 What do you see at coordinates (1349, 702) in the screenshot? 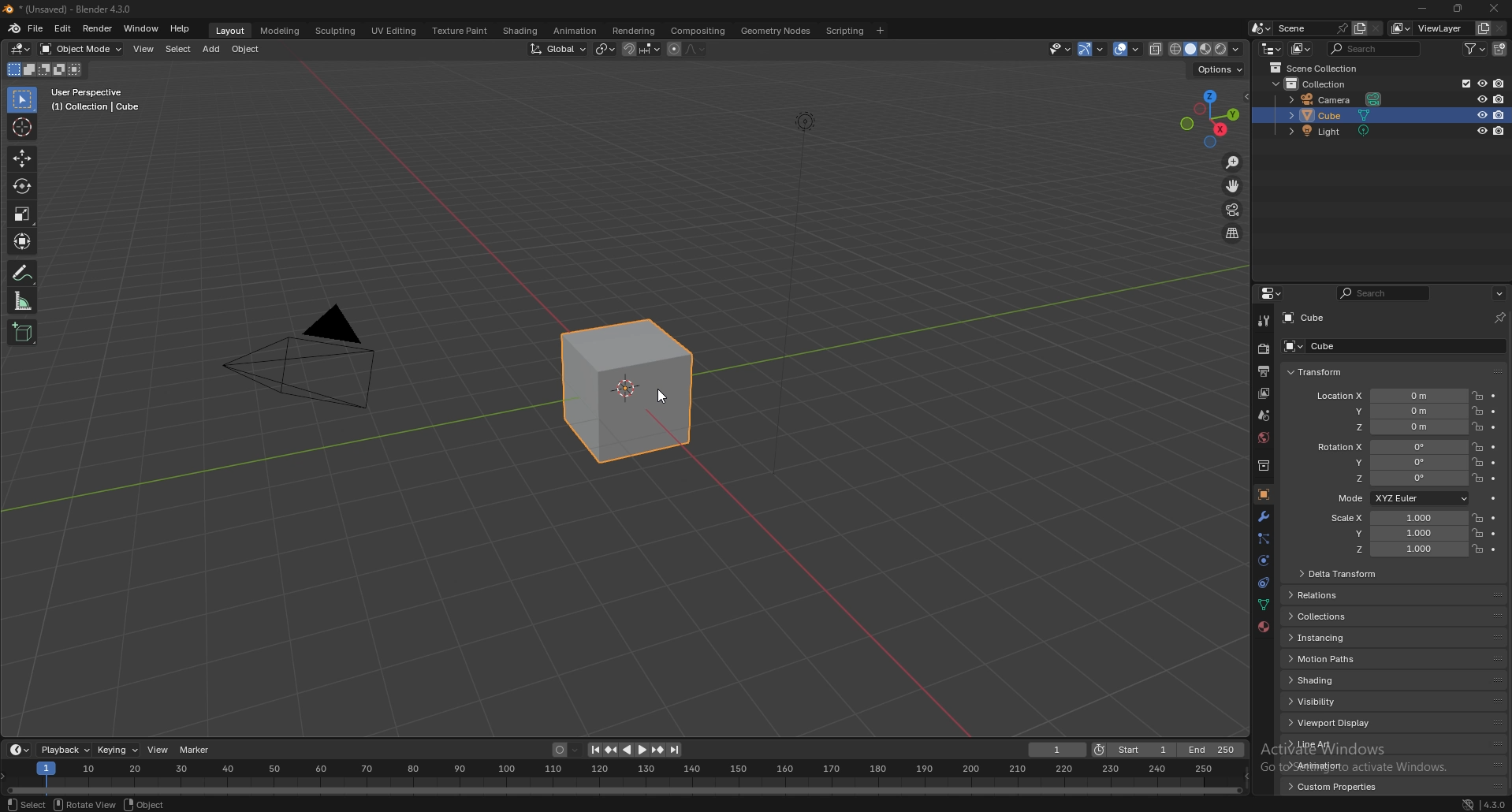
I see `visibility` at bounding box center [1349, 702].